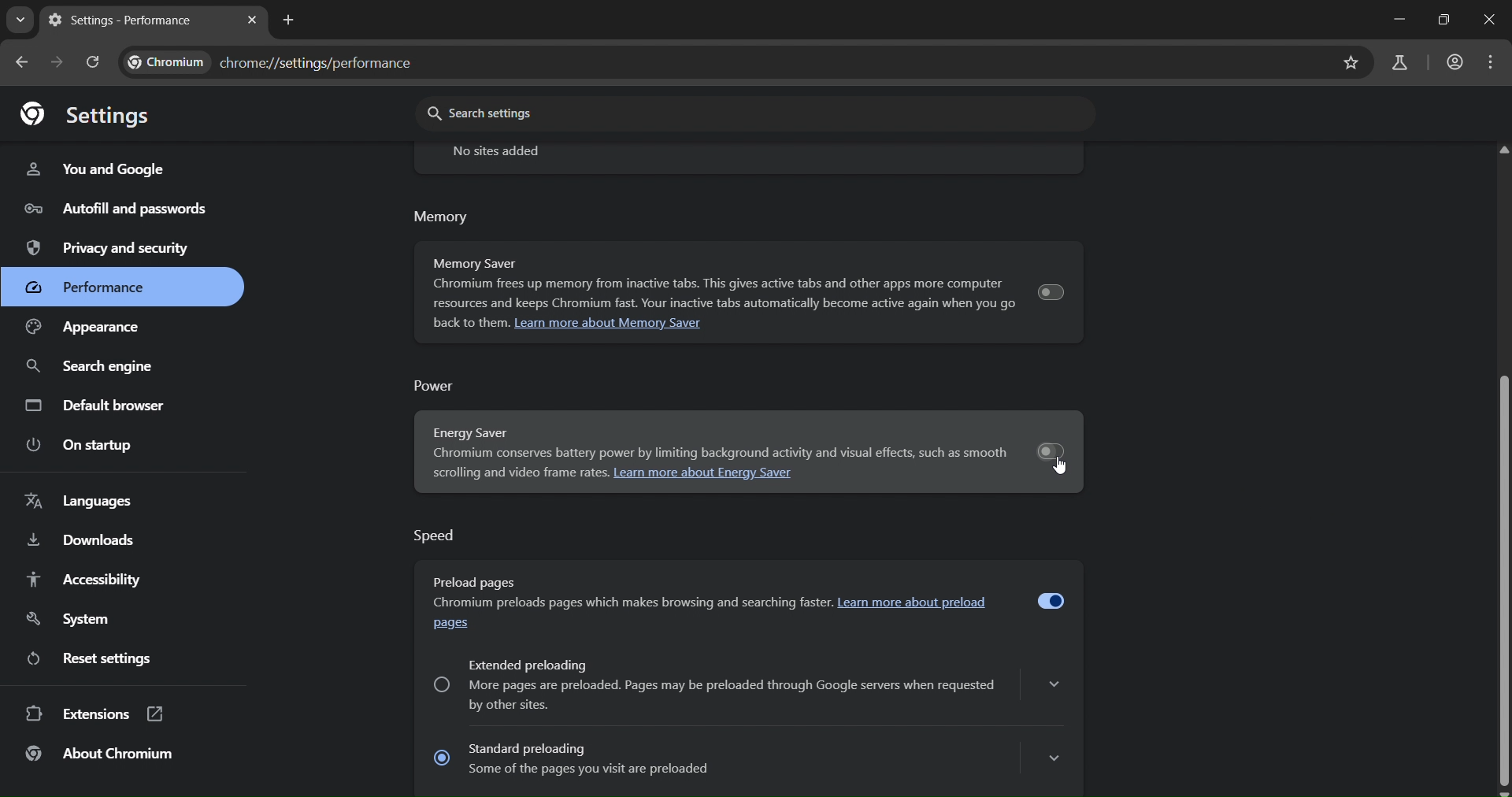  Describe the element at coordinates (254, 21) in the screenshot. I see `close tab` at that location.